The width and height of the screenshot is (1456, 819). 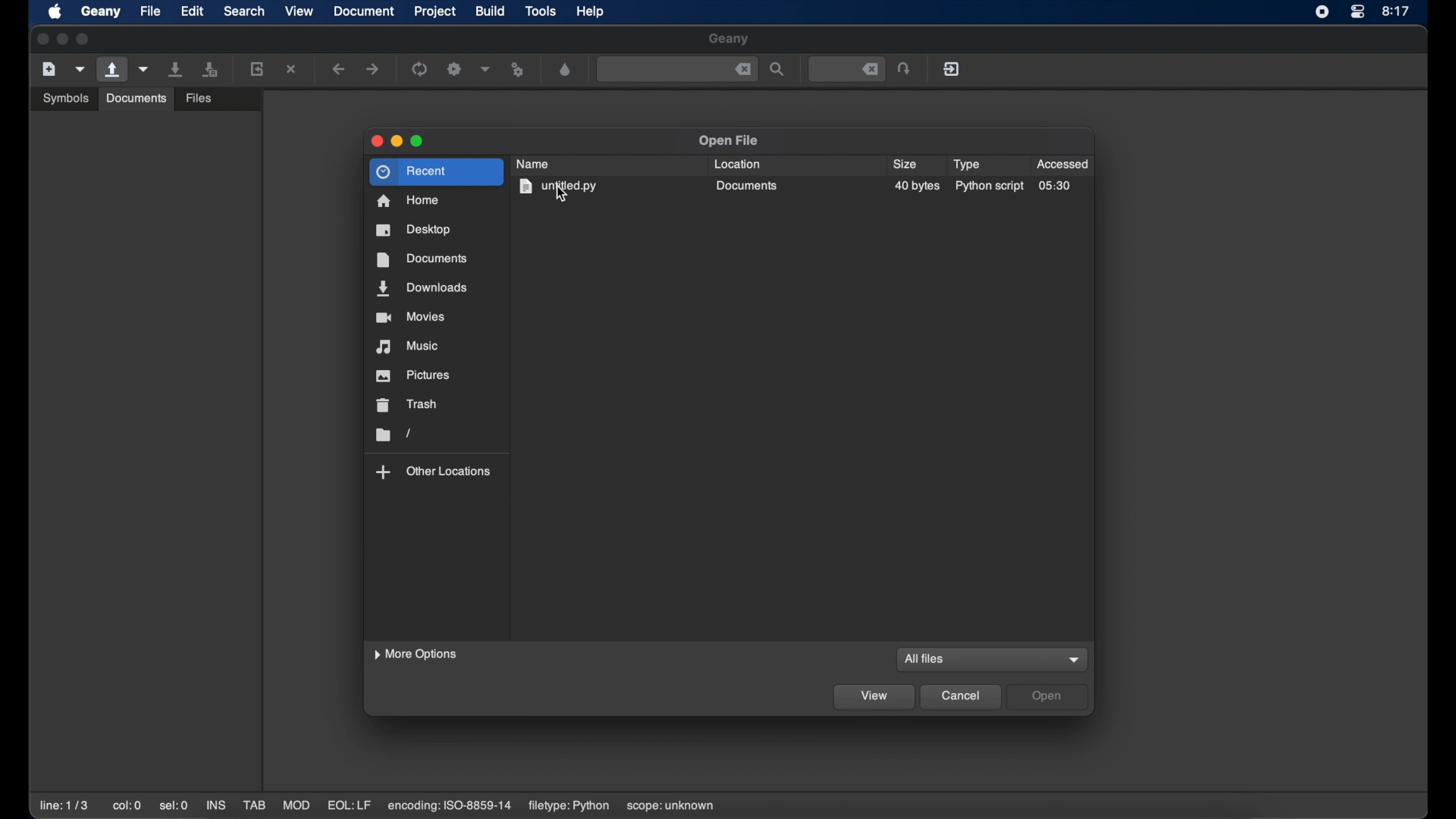 I want to click on screen recorder icon, so click(x=1321, y=12).